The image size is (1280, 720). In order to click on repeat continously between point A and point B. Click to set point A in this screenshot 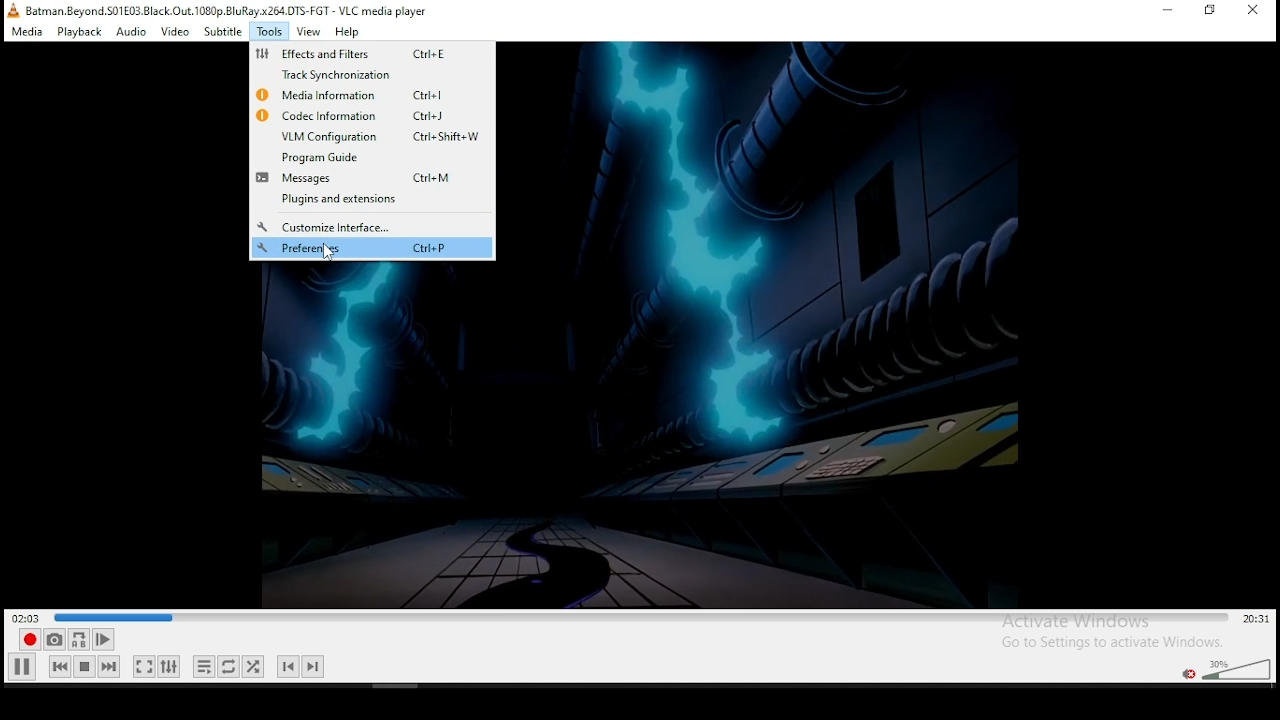, I will do `click(77, 639)`.